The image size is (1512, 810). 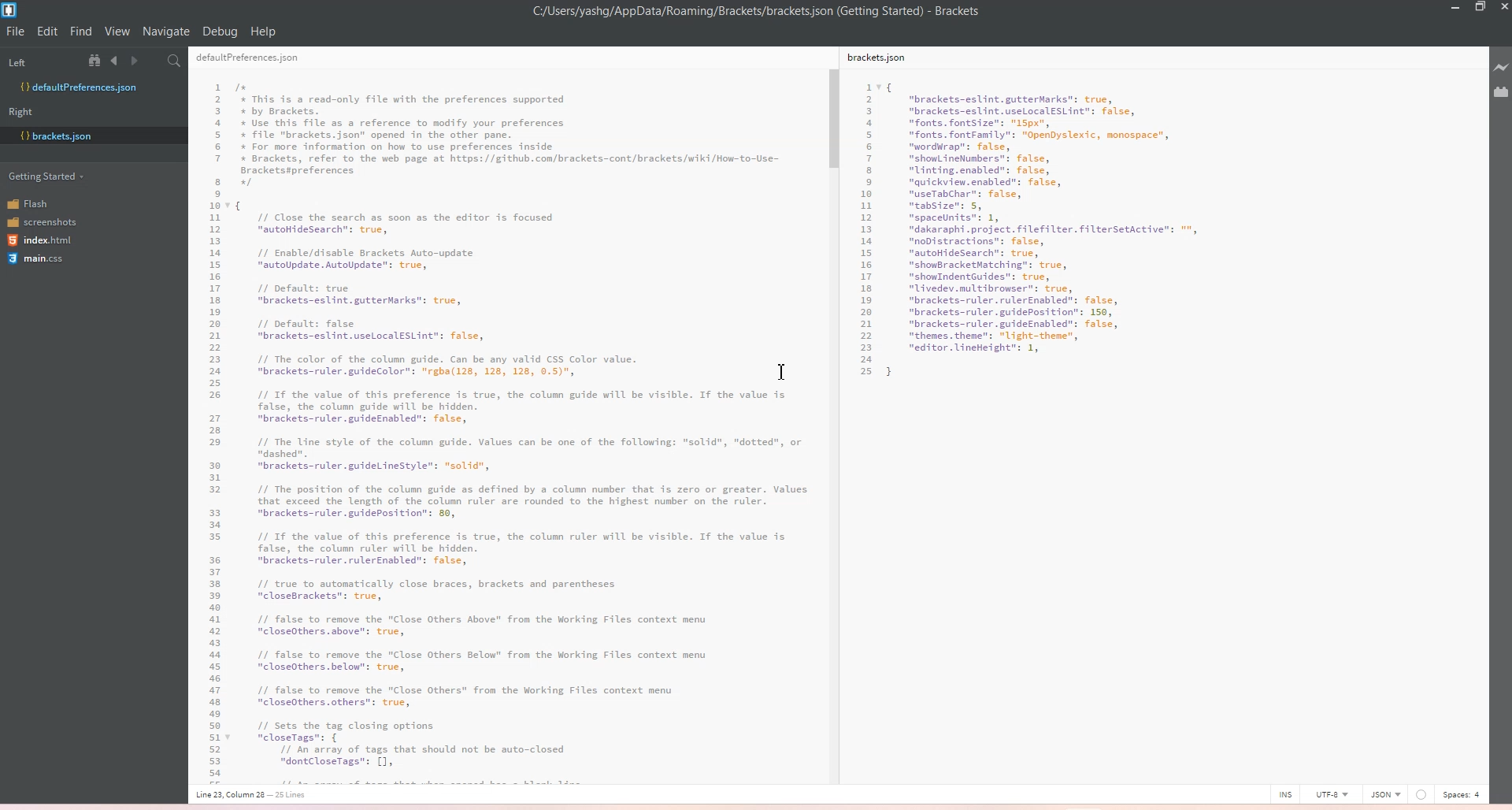 I want to click on Show in file tree, so click(x=98, y=60).